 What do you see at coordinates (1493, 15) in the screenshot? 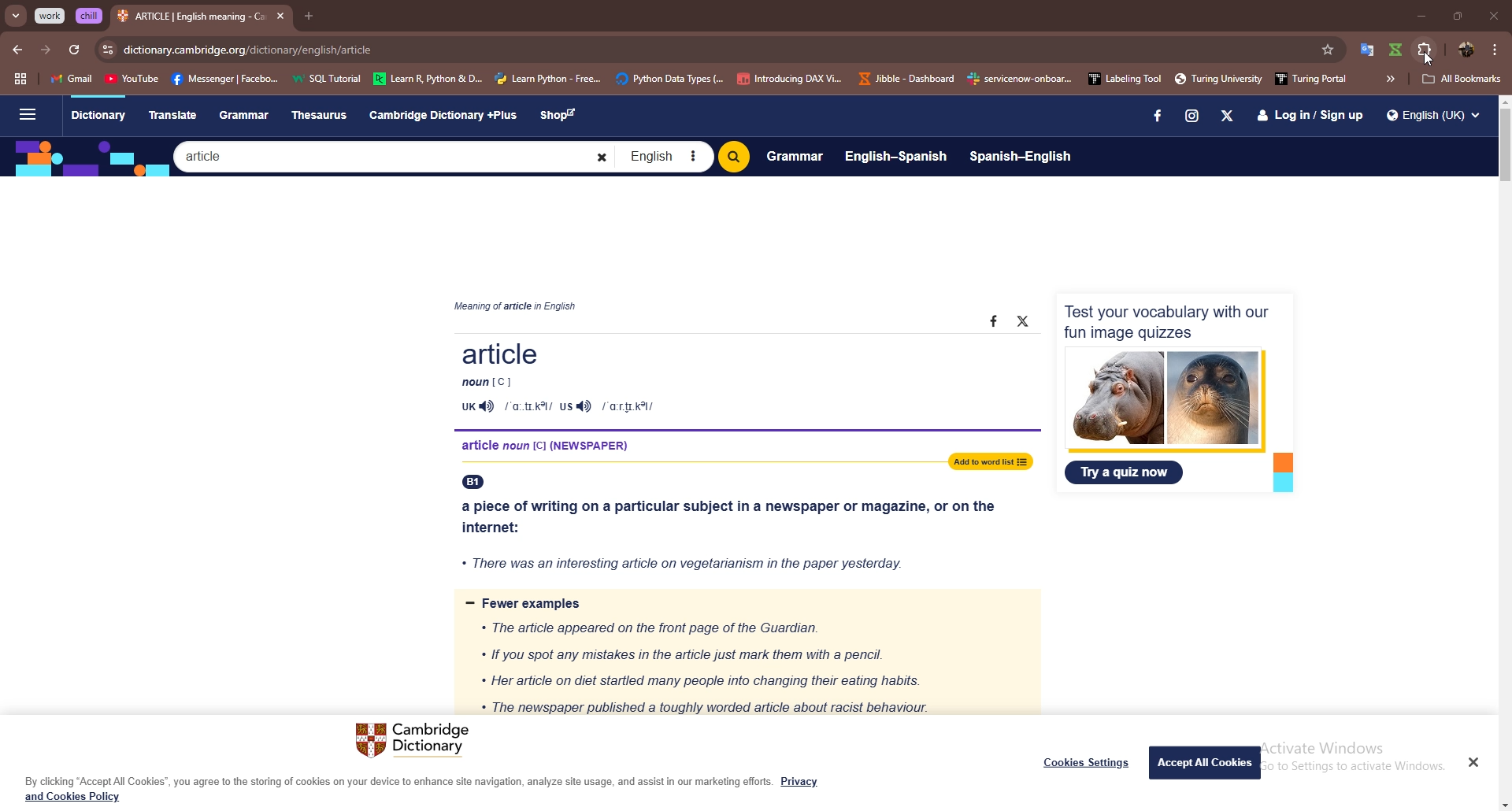
I see `close` at bounding box center [1493, 15].